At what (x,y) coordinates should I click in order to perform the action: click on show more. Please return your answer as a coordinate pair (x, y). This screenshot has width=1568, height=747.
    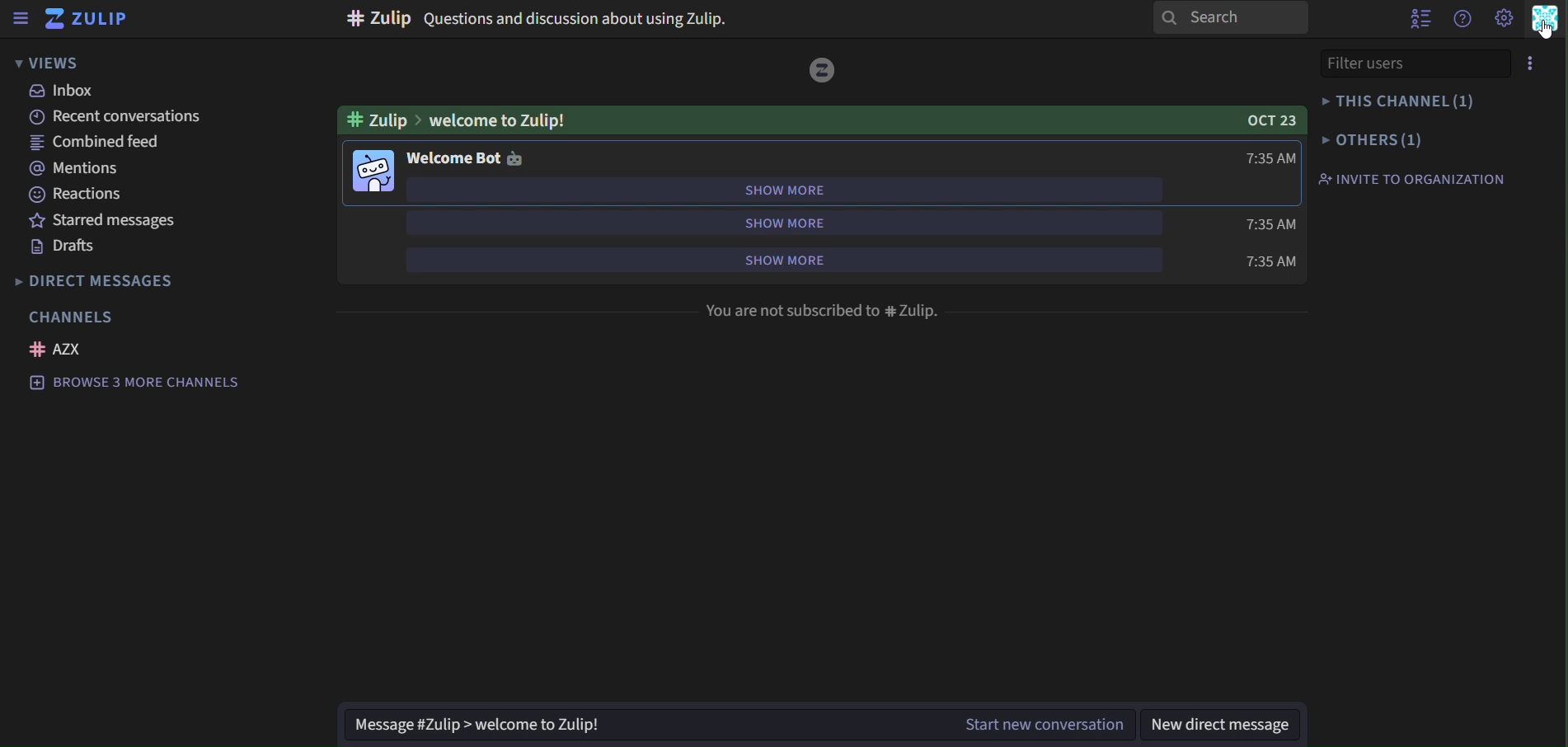
    Looking at the image, I should click on (777, 261).